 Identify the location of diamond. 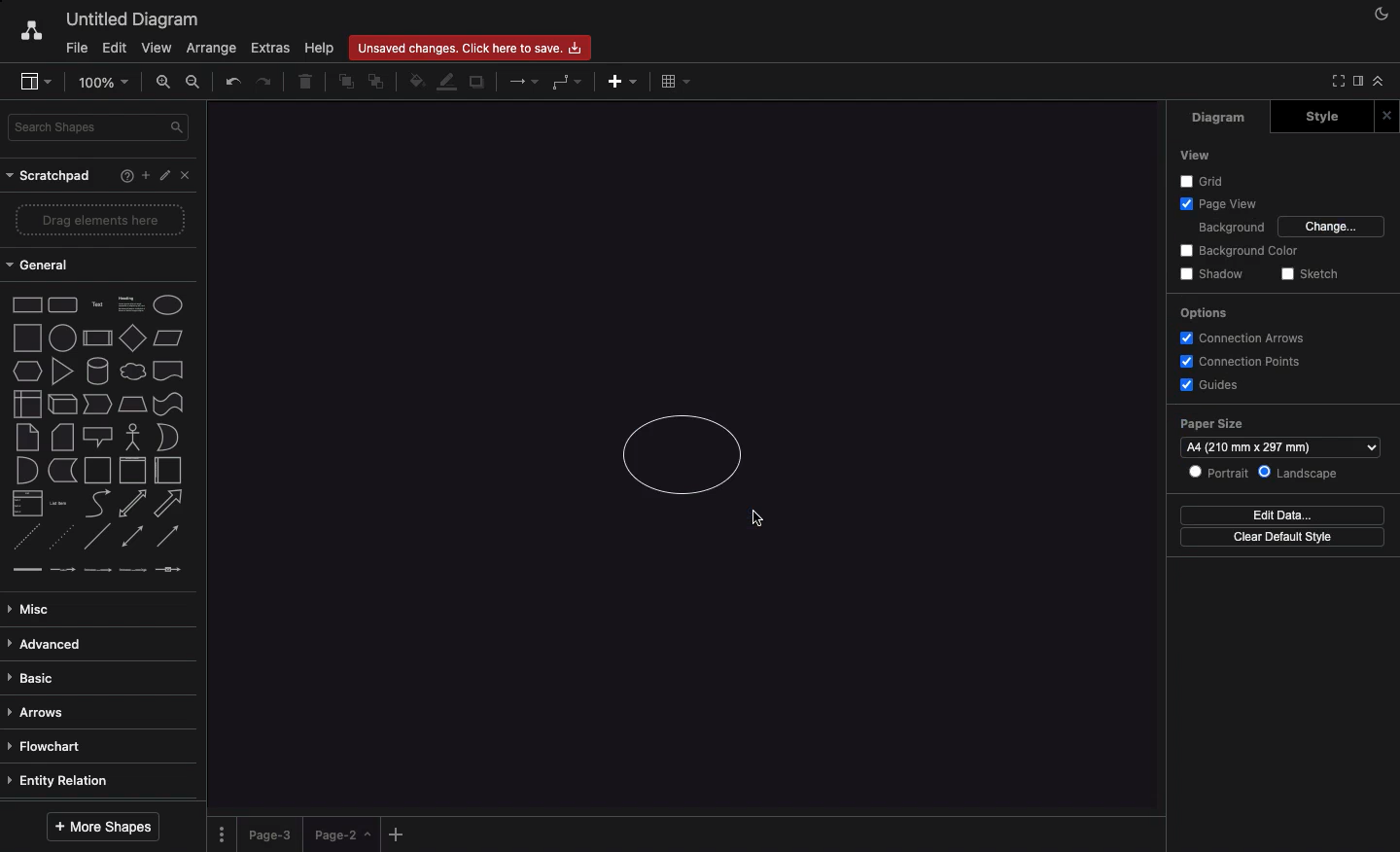
(133, 337).